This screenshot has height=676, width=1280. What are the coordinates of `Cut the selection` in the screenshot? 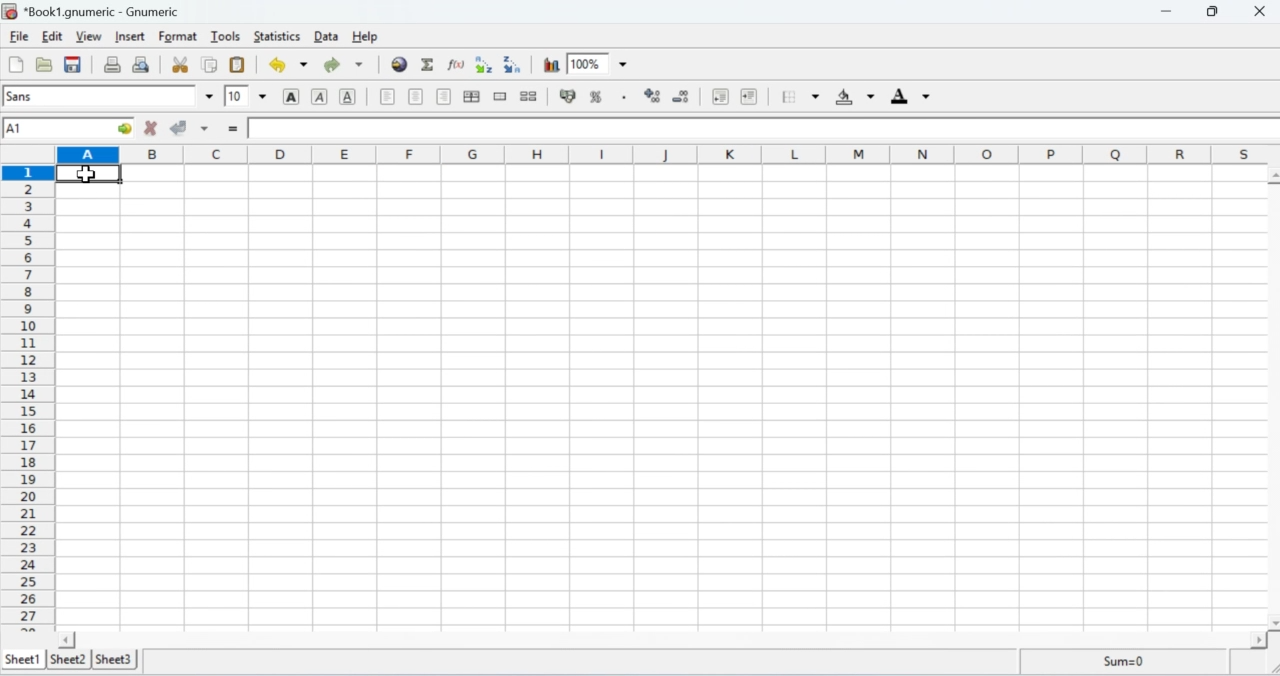 It's located at (183, 63).